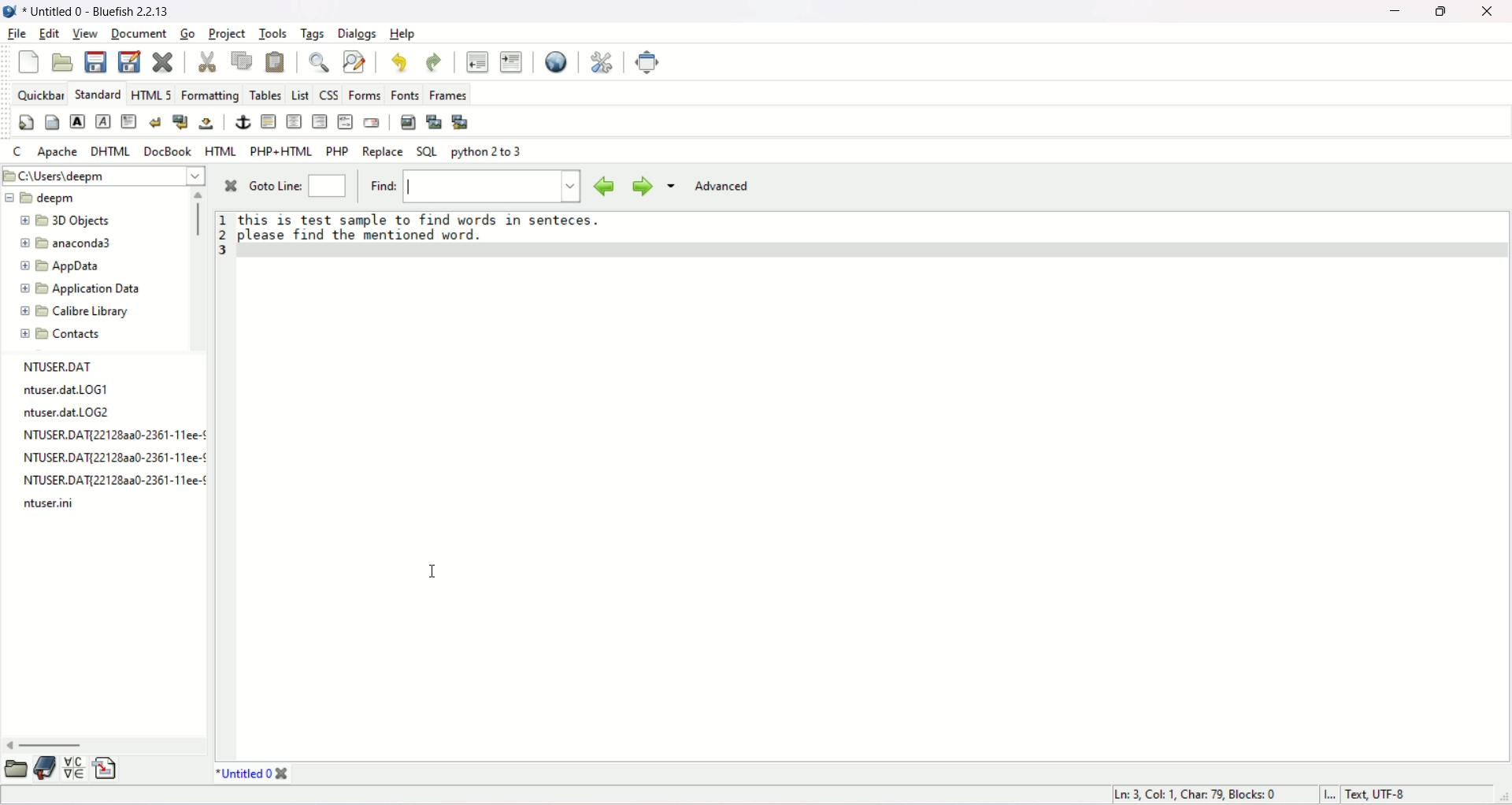 The image size is (1512, 805). What do you see at coordinates (273, 60) in the screenshot?
I see `paste` at bounding box center [273, 60].